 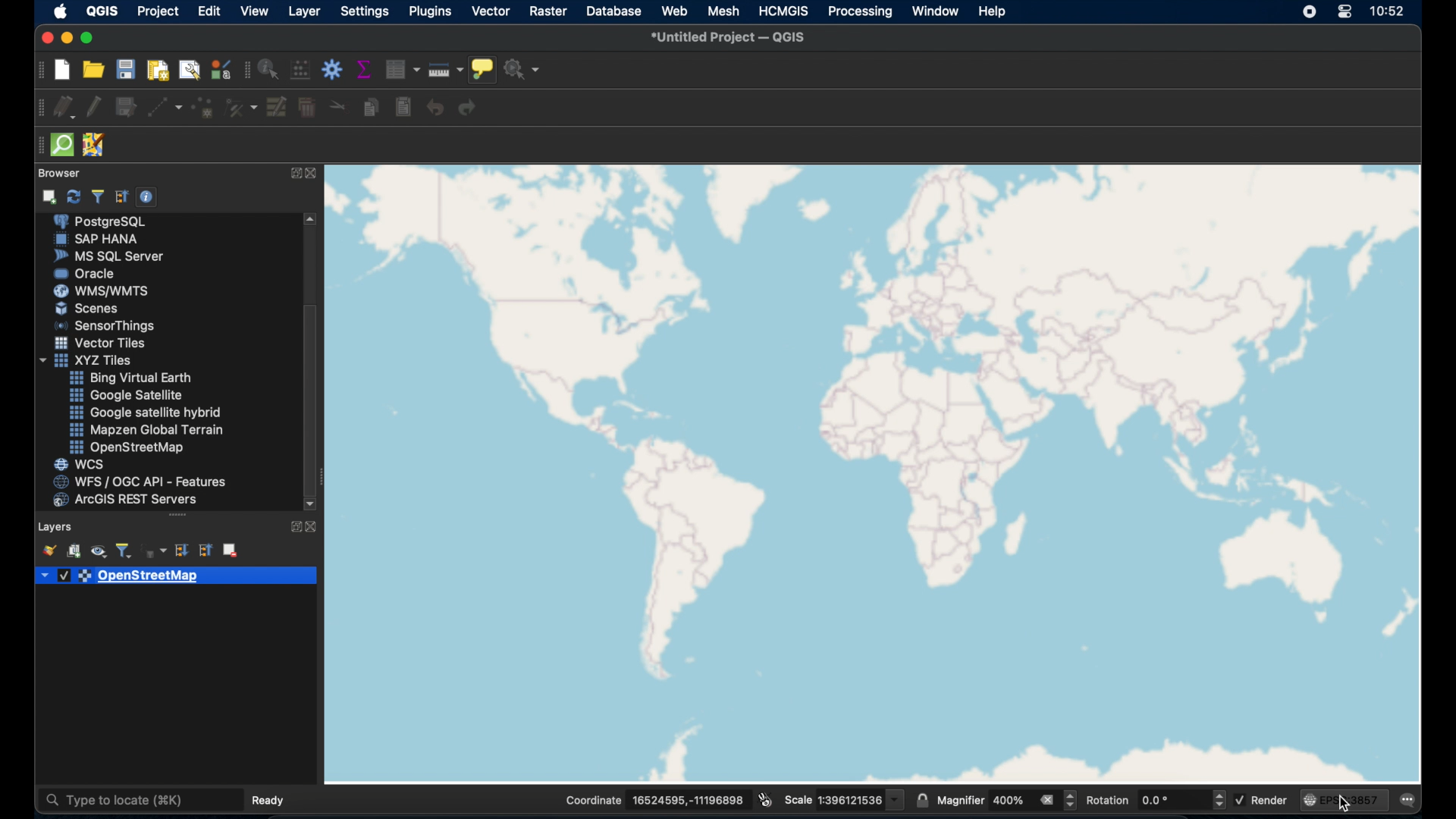 I want to click on save project, so click(x=125, y=70).